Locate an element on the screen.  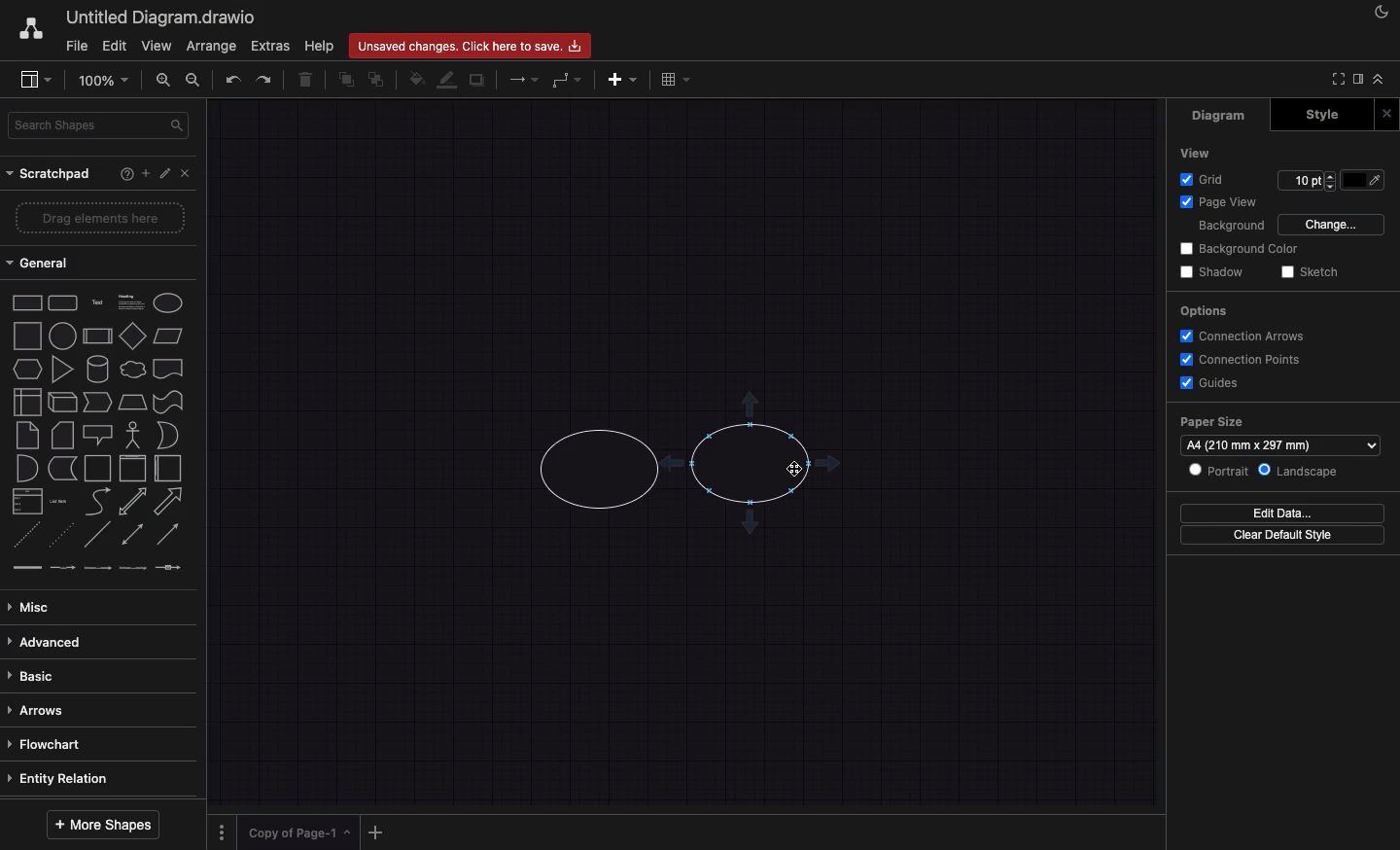
paper size is located at coordinates (1211, 421).